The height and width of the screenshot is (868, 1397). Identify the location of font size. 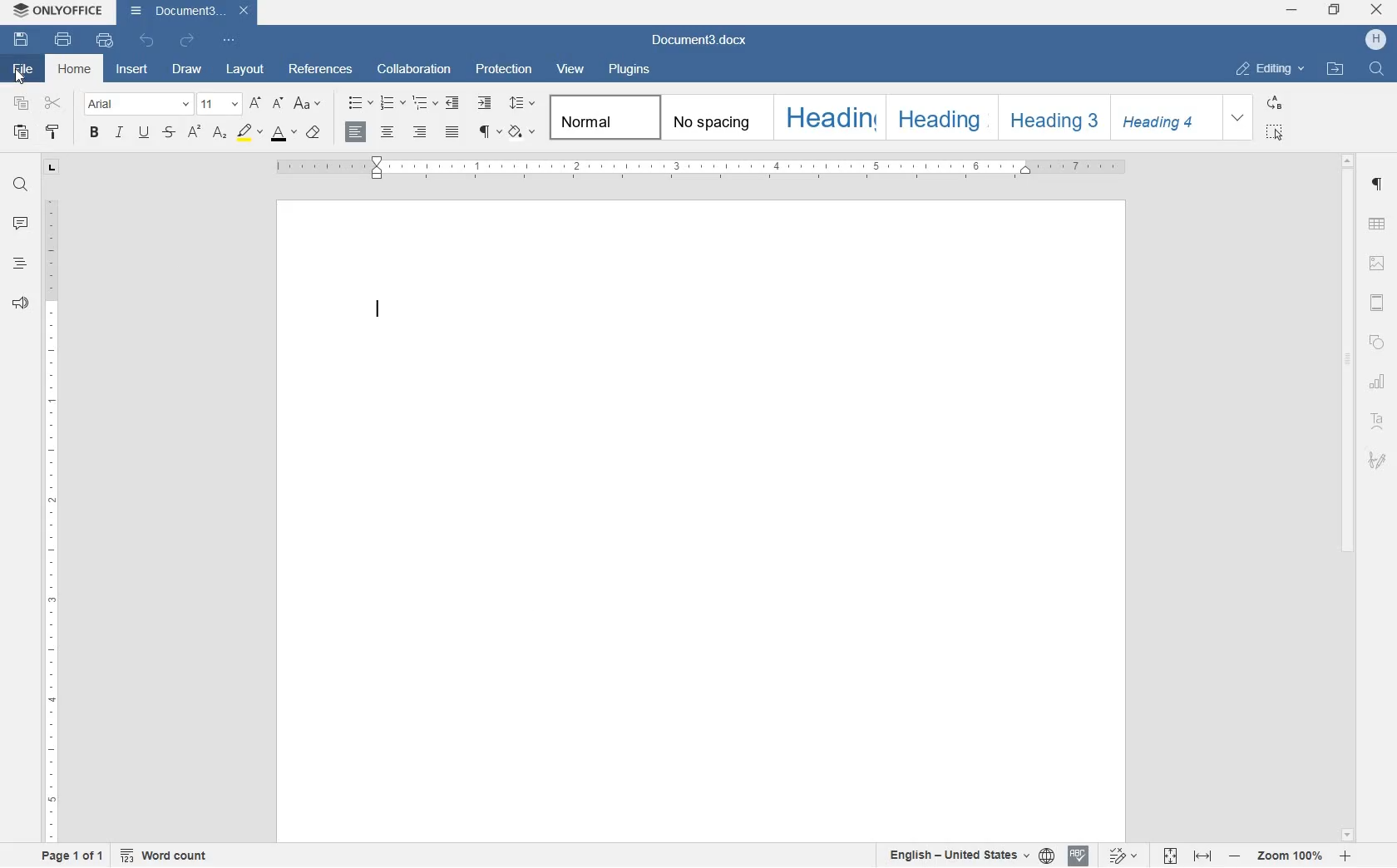
(218, 103).